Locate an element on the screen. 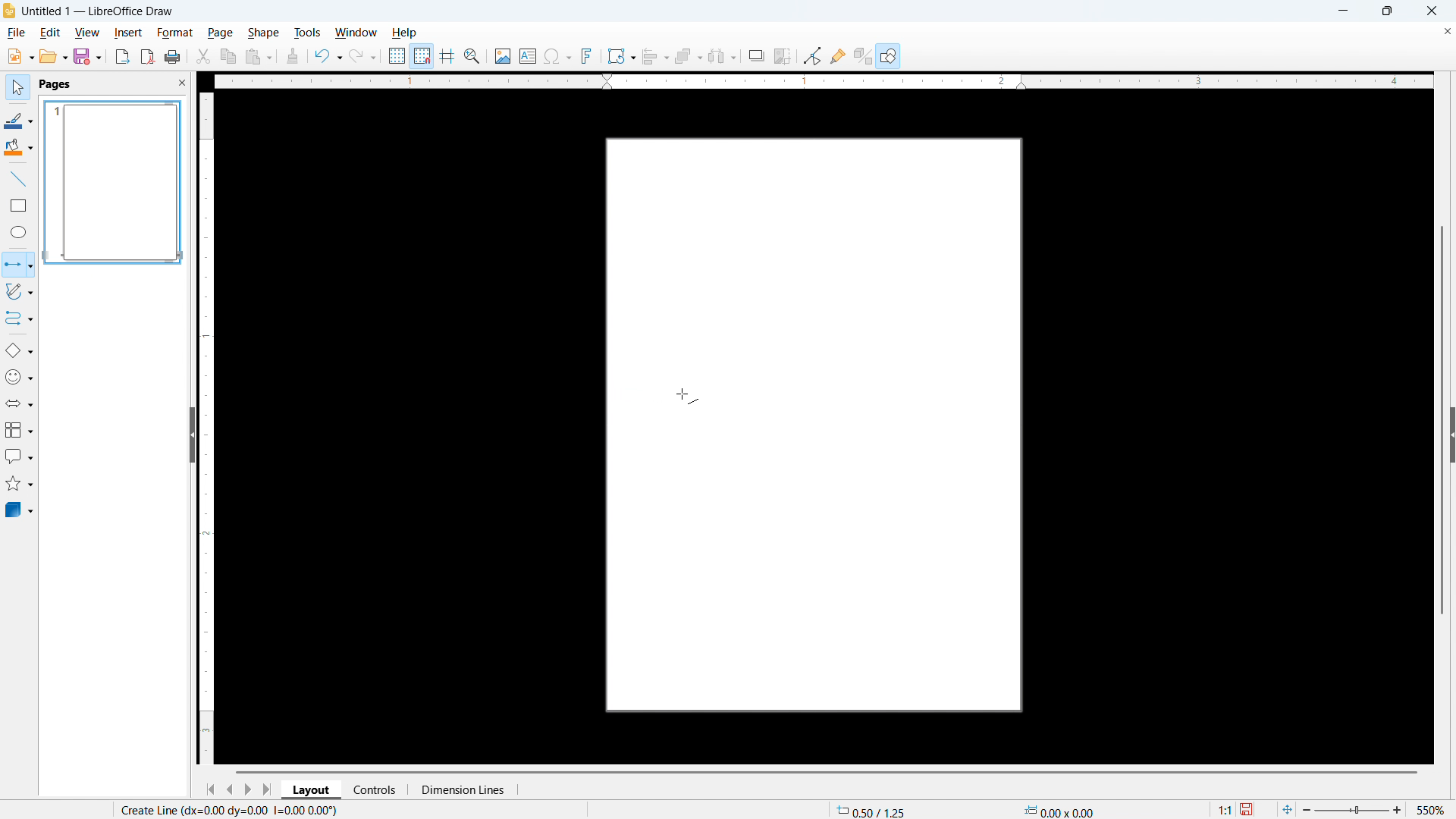 The width and height of the screenshot is (1456, 819). Select at least three objects to distribute is located at coordinates (723, 56).